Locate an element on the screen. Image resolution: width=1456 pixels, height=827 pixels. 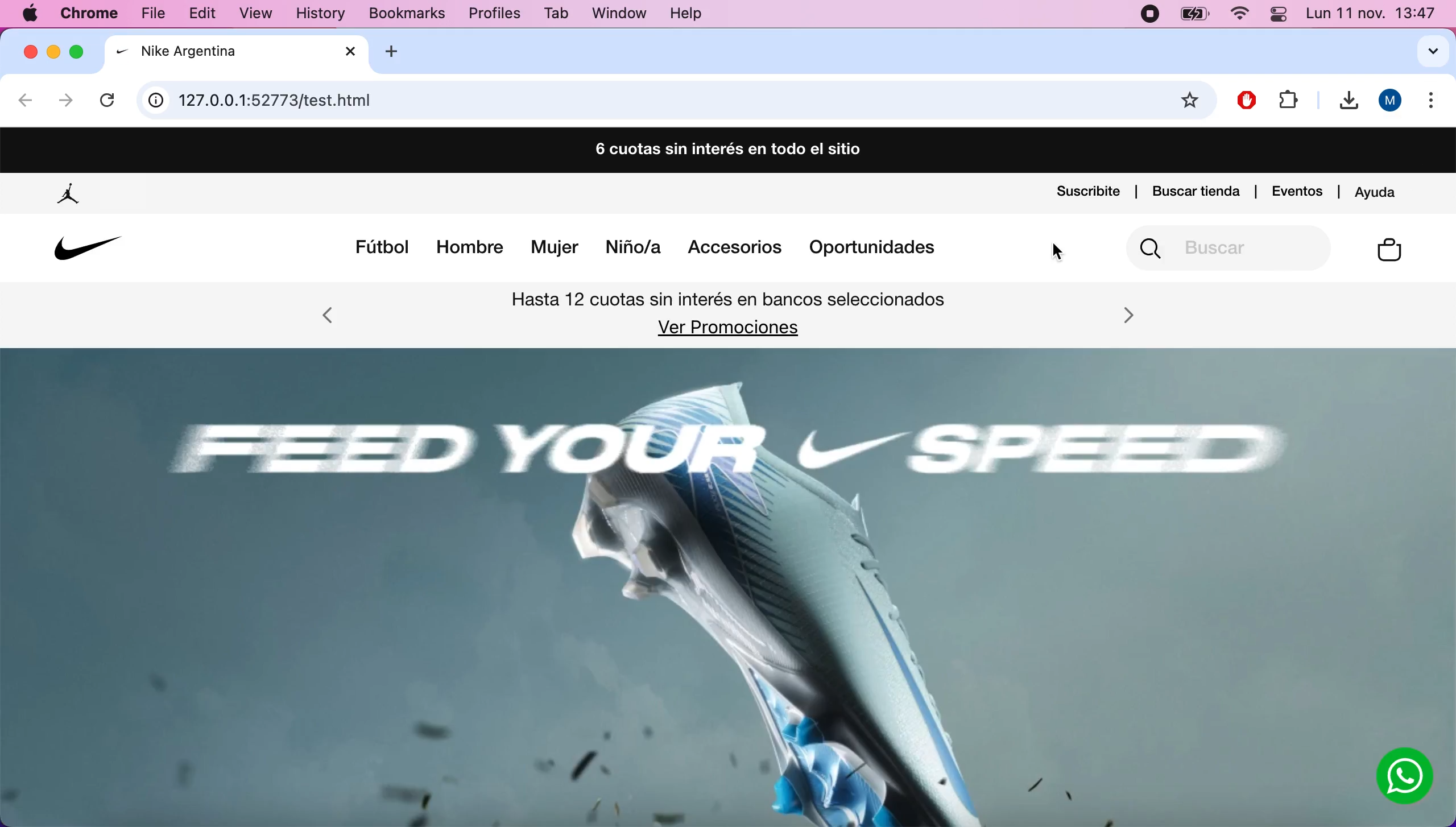
go one page forward is located at coordinates (65, 101).